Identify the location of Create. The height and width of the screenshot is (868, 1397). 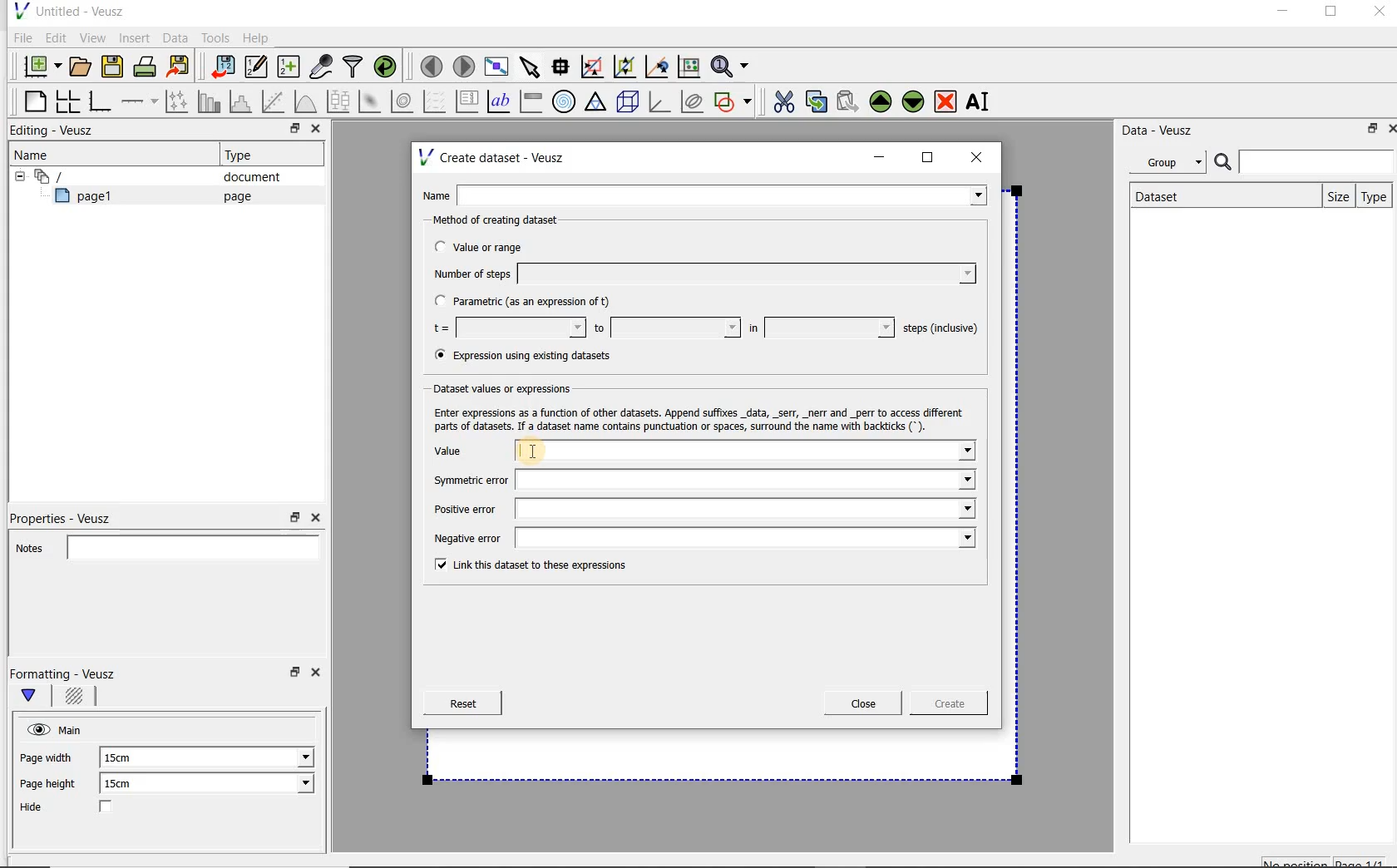
(944, 706).